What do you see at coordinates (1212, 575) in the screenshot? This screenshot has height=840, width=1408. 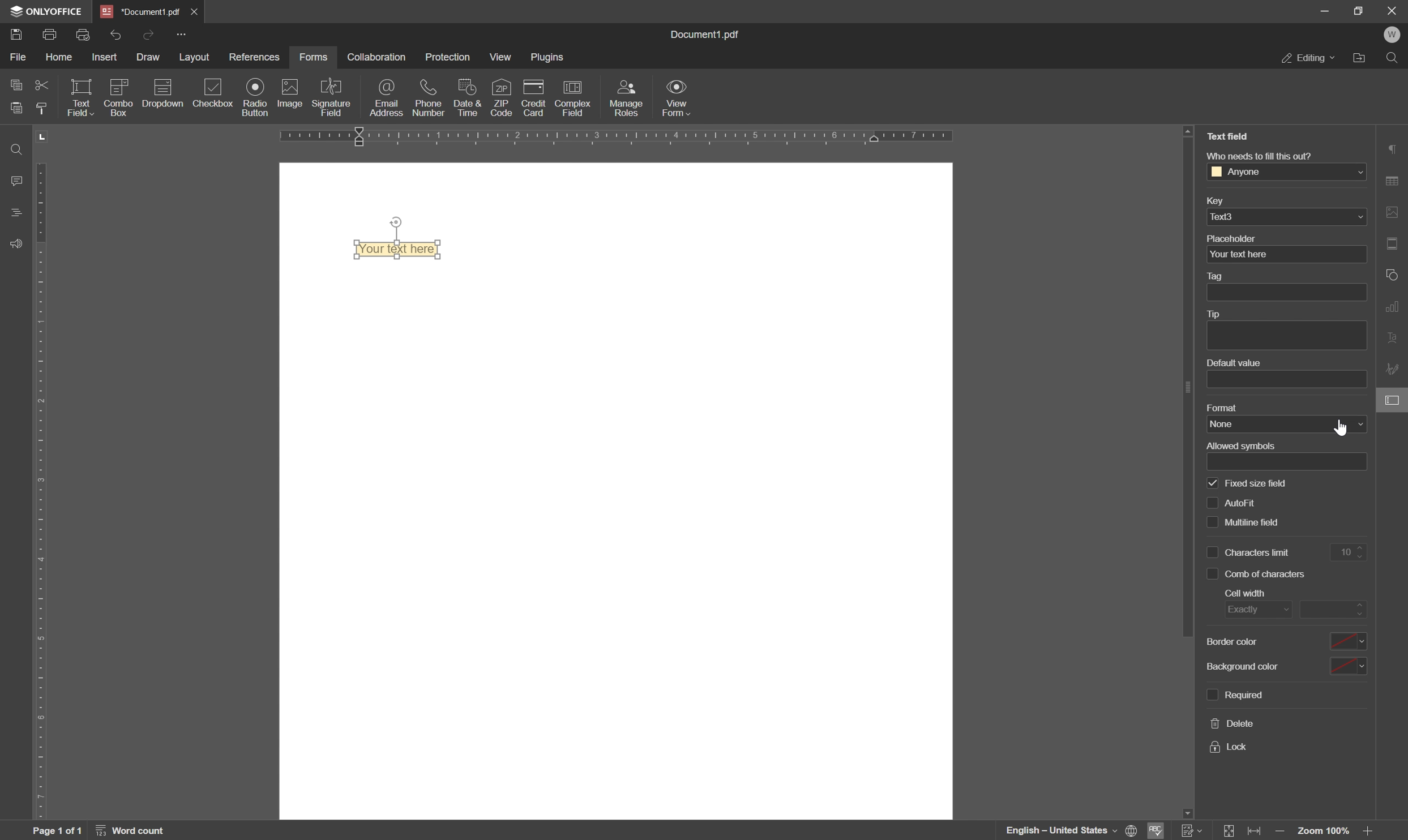 I see `checkbox` at bounding box center [1212, 575].